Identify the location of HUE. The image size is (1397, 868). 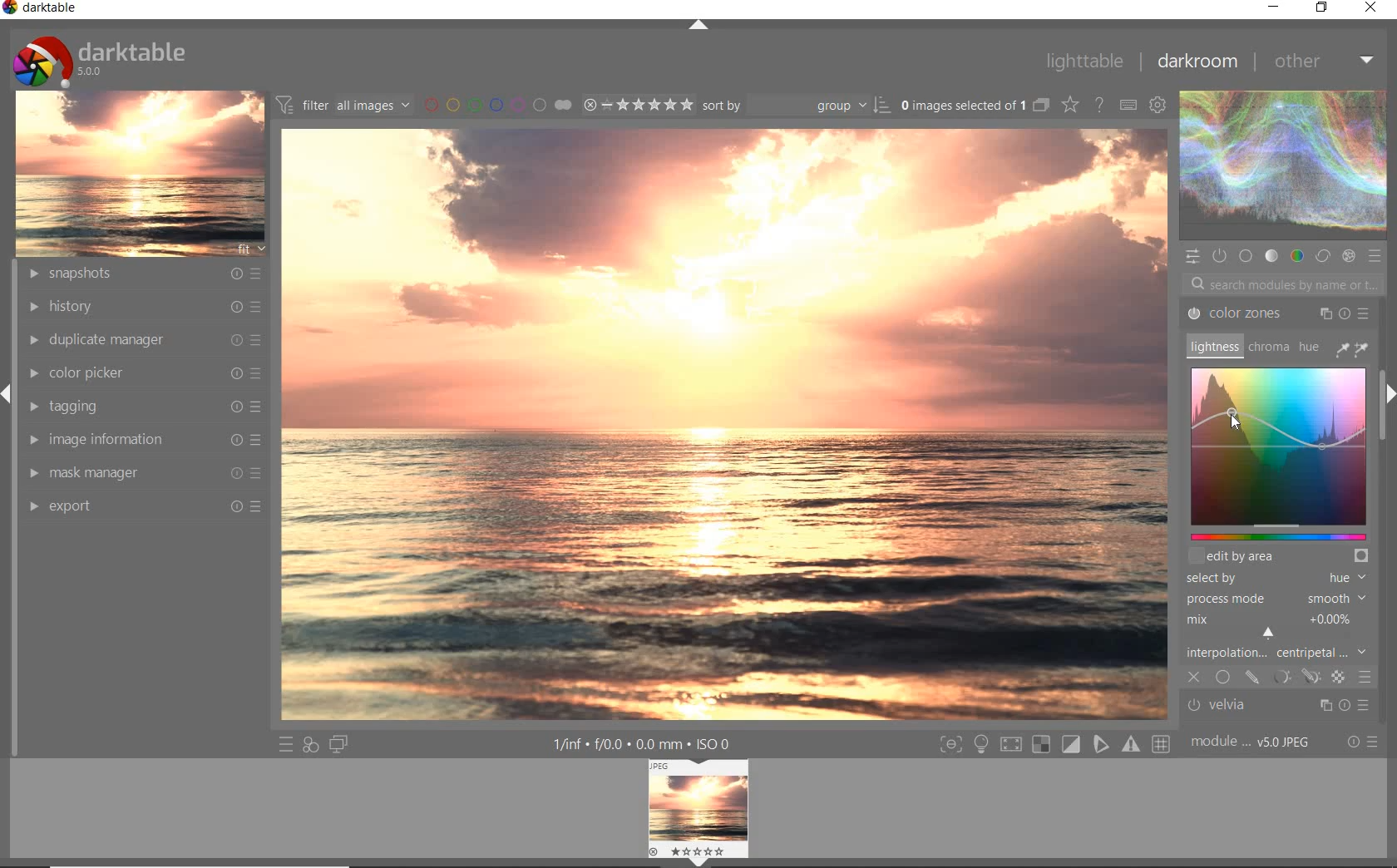
(1310, 350).